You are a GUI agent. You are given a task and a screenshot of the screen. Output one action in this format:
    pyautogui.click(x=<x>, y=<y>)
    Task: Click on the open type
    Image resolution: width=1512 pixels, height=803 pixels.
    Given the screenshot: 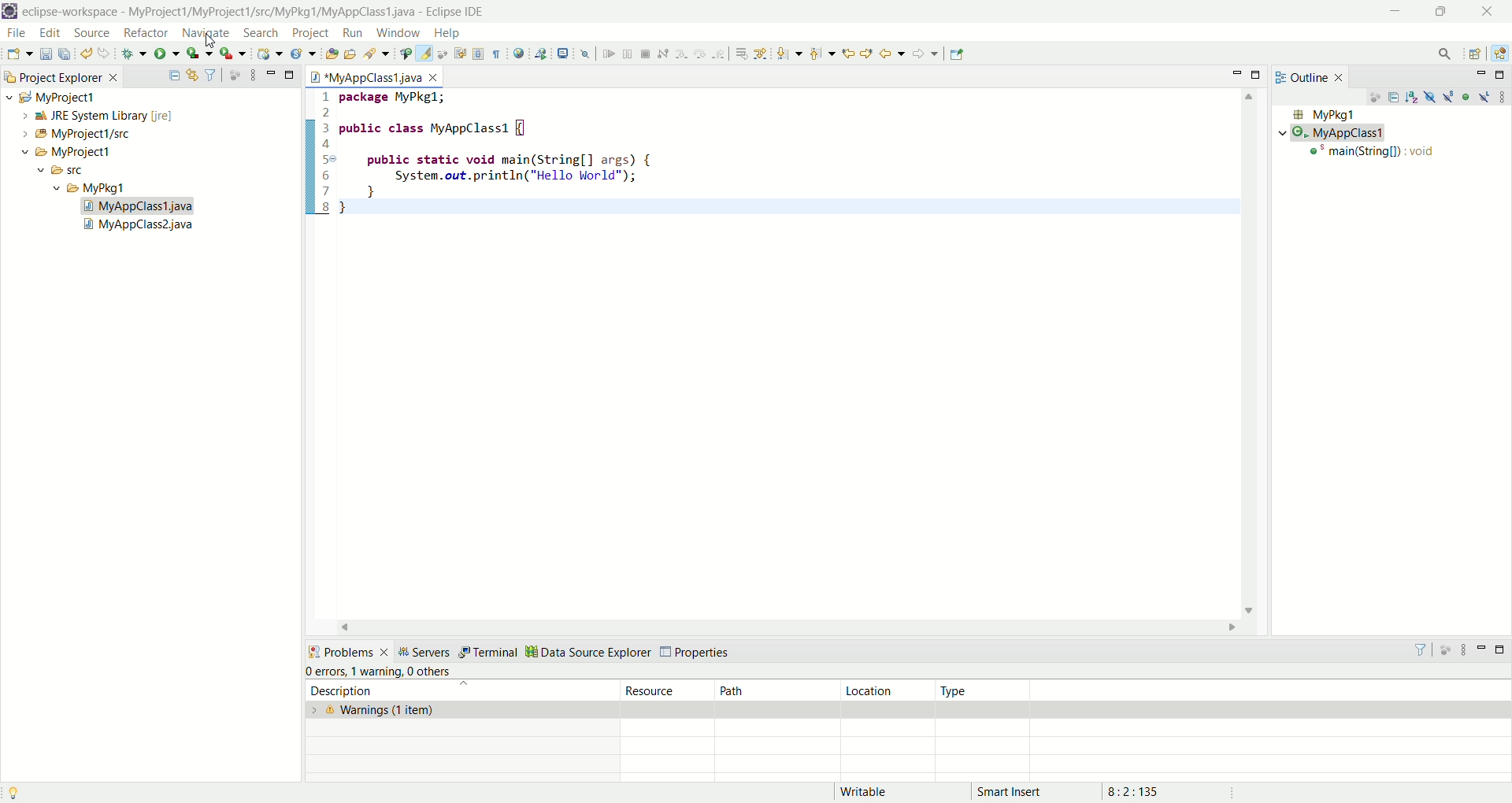 What is the action you would take?
    pyautogui.click(x=329, y=55)
    